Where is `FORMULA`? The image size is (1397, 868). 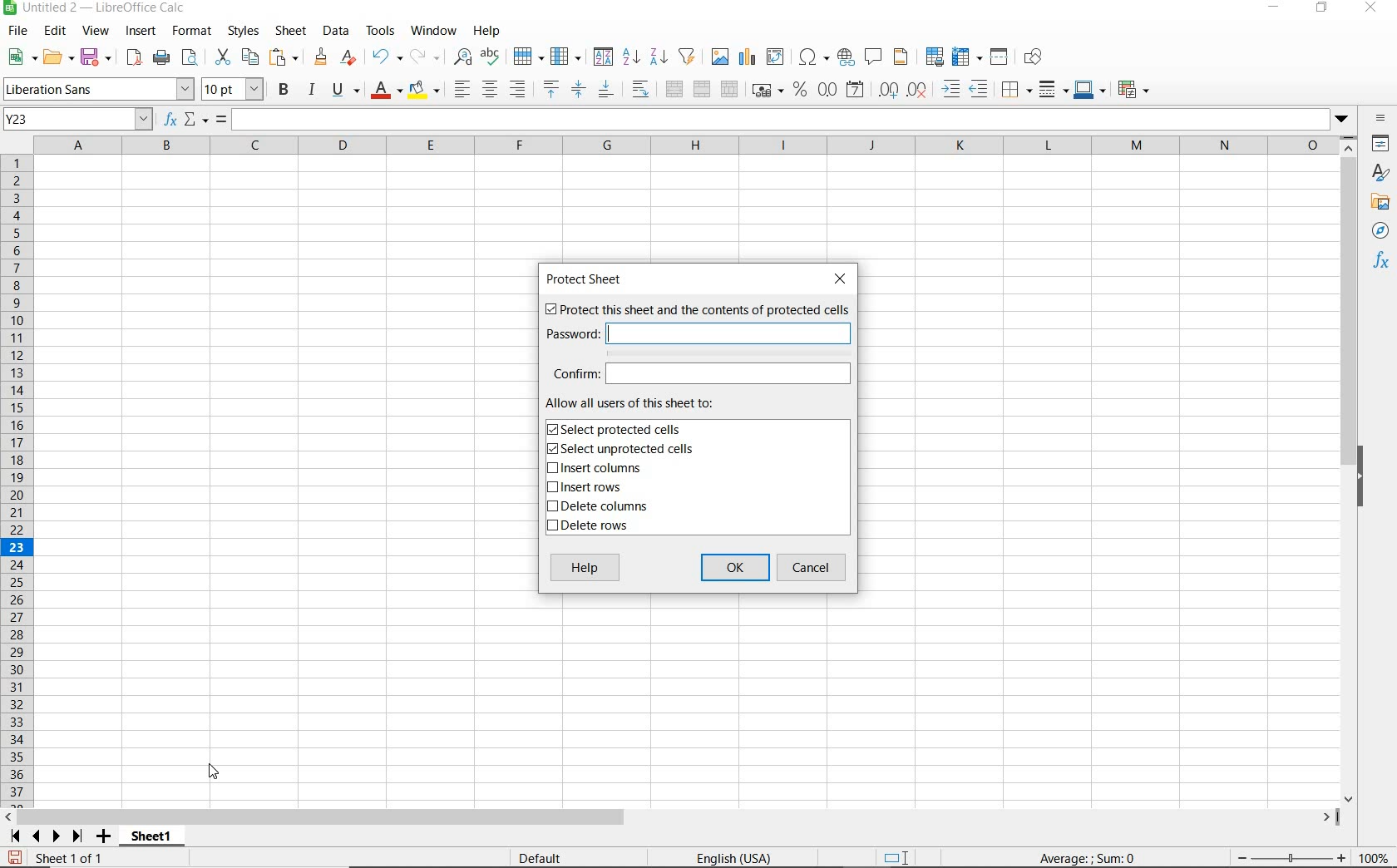
FORMULA is located at coordinates (222, 120).